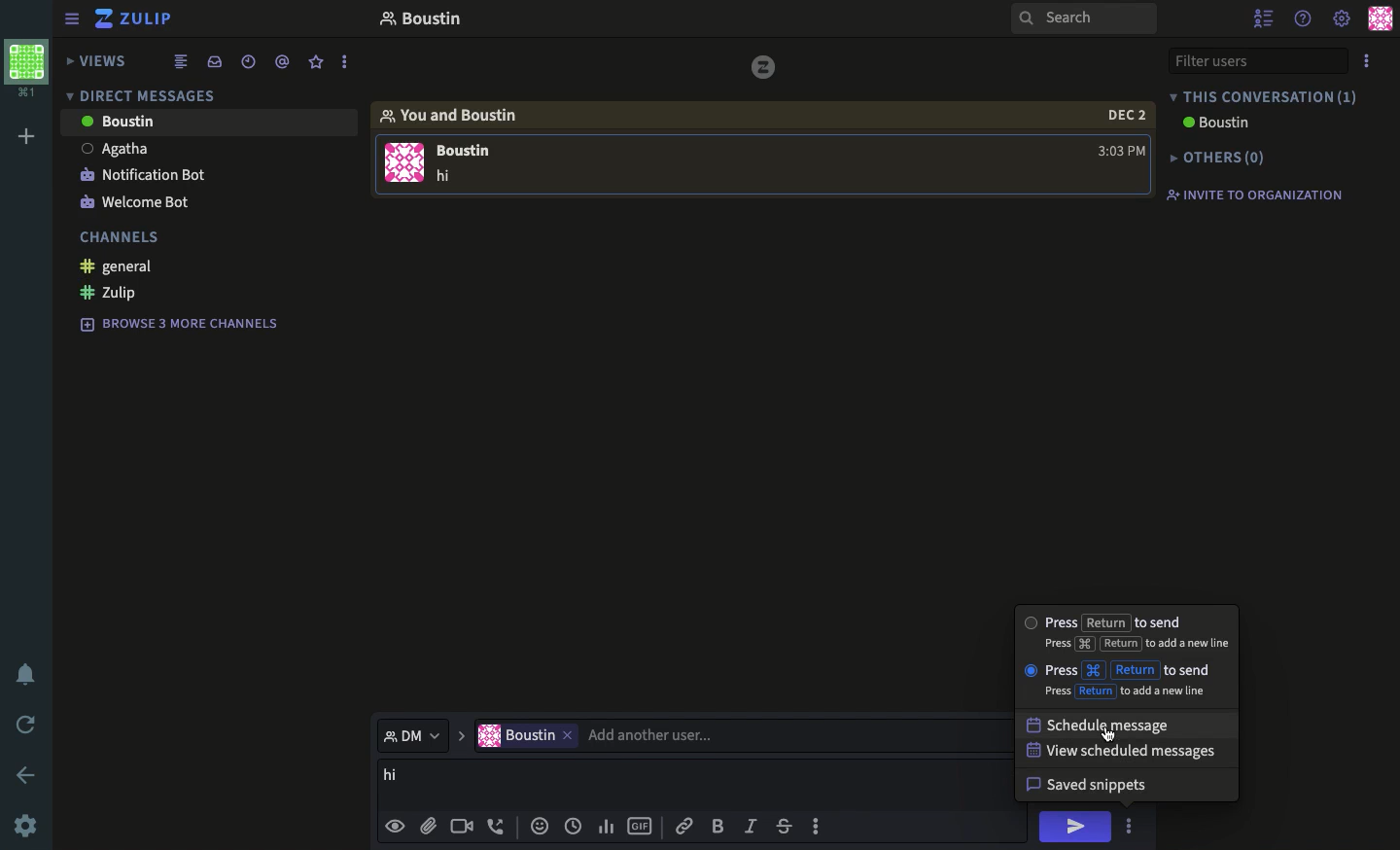 This screenshot has width=1400, height=850. I want to click on notification bot, so click(144, 175).